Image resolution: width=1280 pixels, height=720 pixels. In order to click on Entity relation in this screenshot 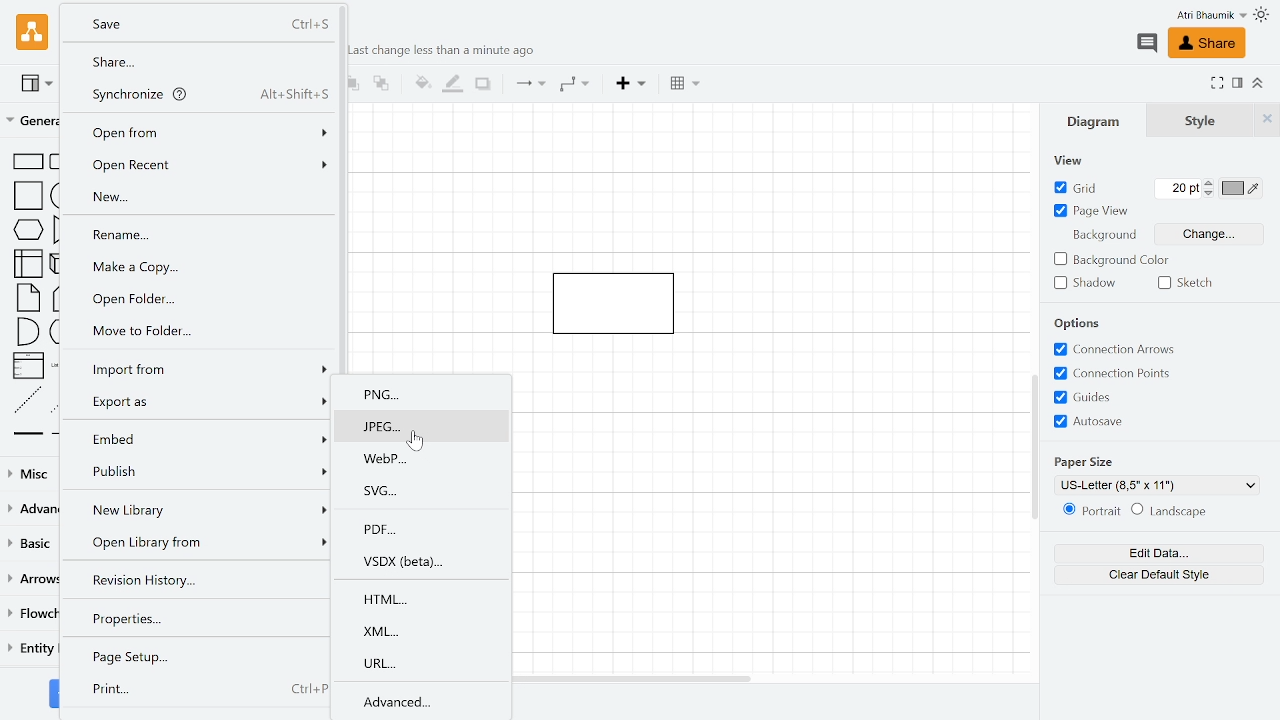, I will do `click(32, 652)`.